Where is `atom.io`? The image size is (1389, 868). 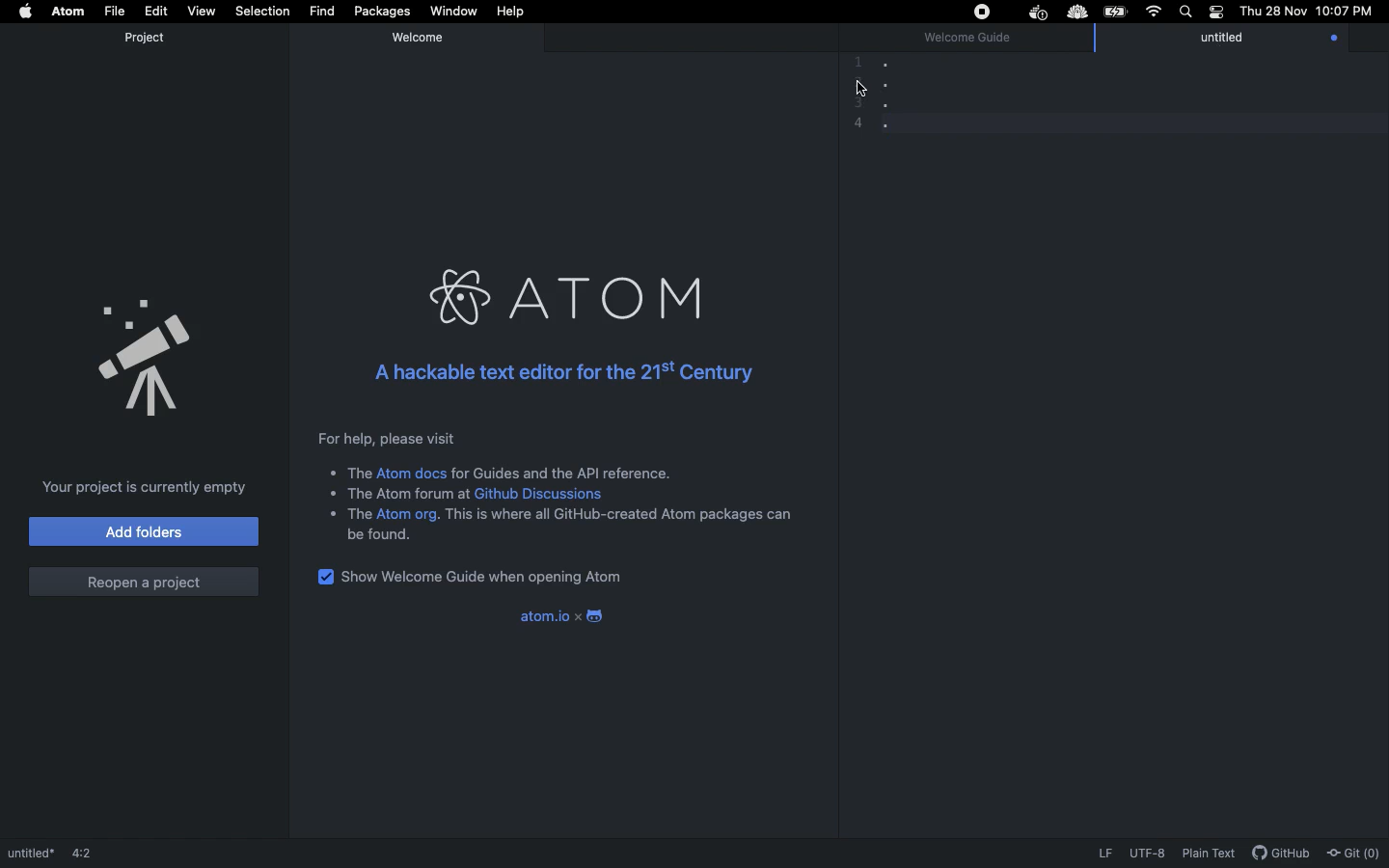
atom.io is located at coordinates (533, 615).